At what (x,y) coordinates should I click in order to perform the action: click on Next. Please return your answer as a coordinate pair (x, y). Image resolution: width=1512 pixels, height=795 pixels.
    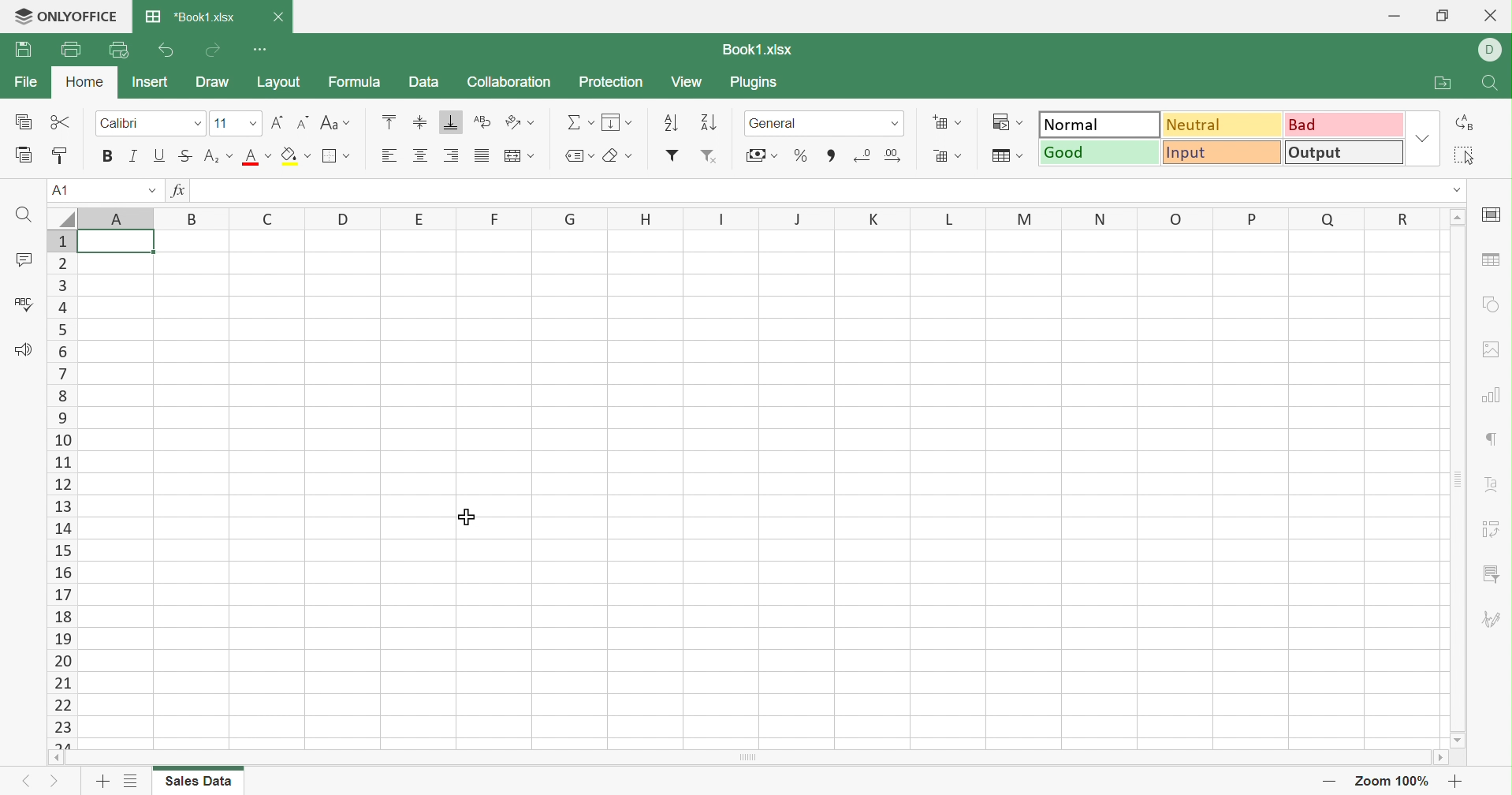
    Looking at the image, I should click on (54, 780).